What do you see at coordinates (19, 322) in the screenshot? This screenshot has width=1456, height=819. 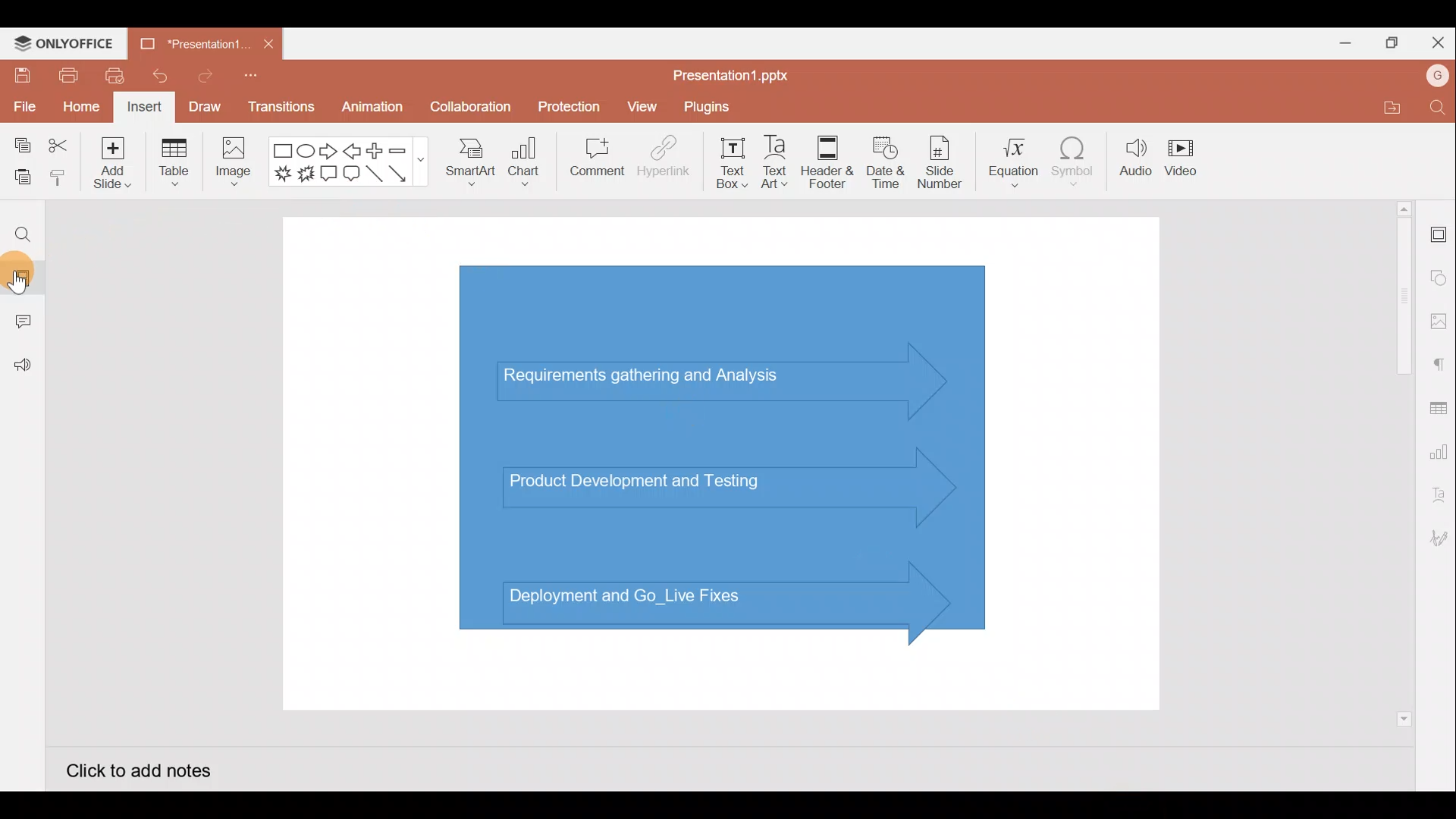 I see `Comment` at bounding box center [19, 322].